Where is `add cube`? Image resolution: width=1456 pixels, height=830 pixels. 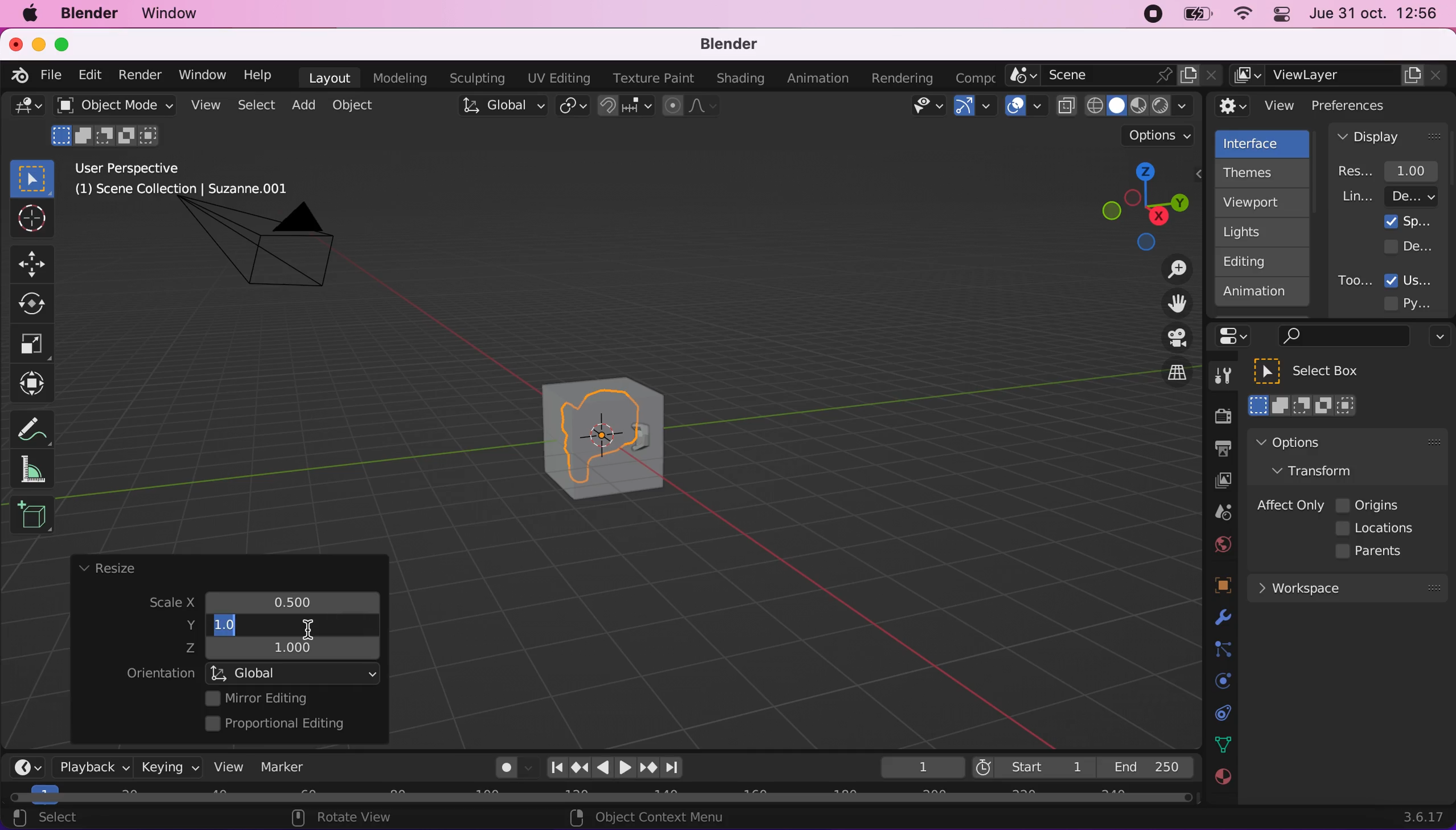
add cube is located at coordinates (32, 516).